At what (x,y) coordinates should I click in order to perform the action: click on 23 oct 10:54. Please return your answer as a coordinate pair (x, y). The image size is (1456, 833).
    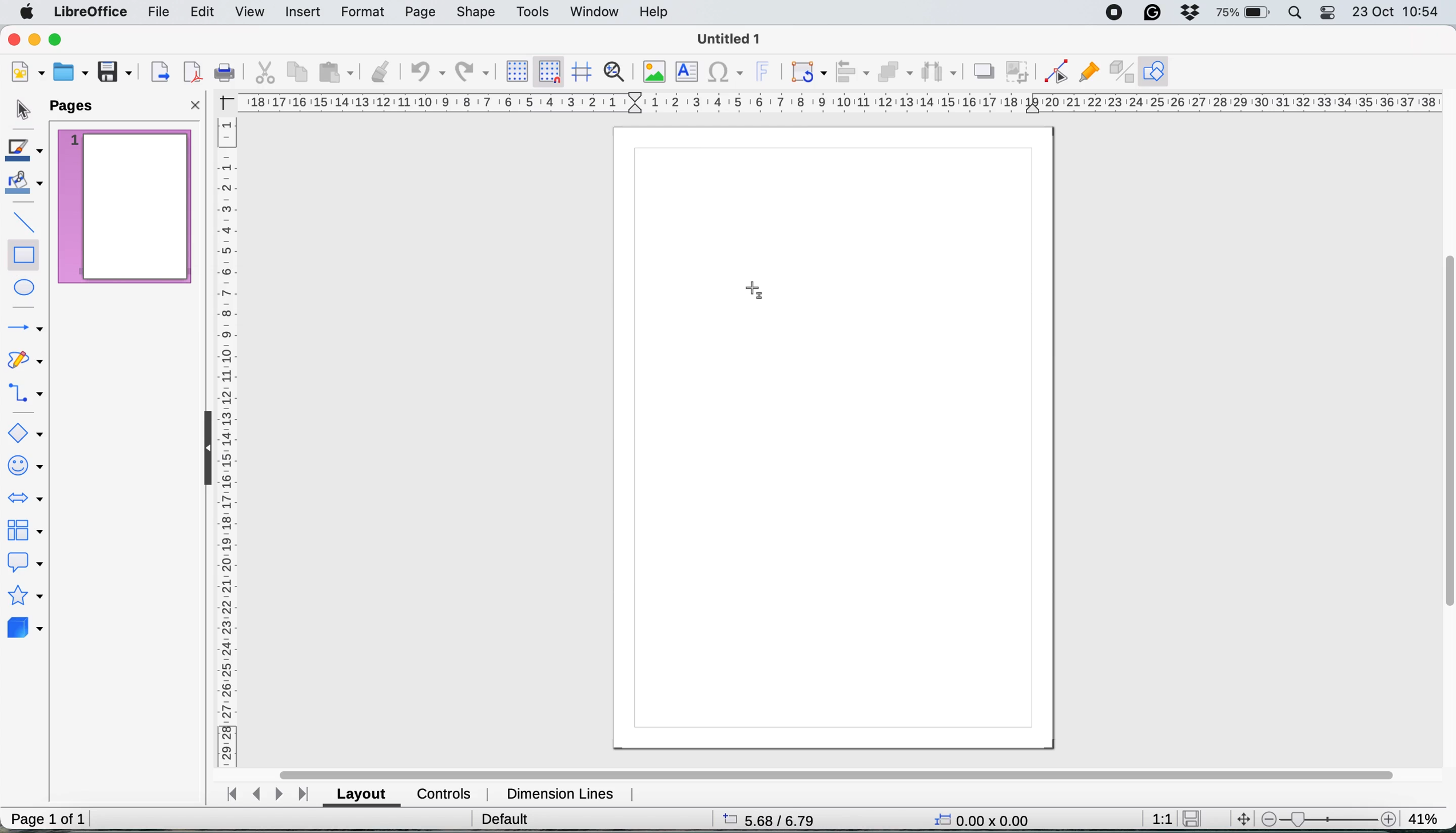
    Looking at the image, I should click on (1397, 12).